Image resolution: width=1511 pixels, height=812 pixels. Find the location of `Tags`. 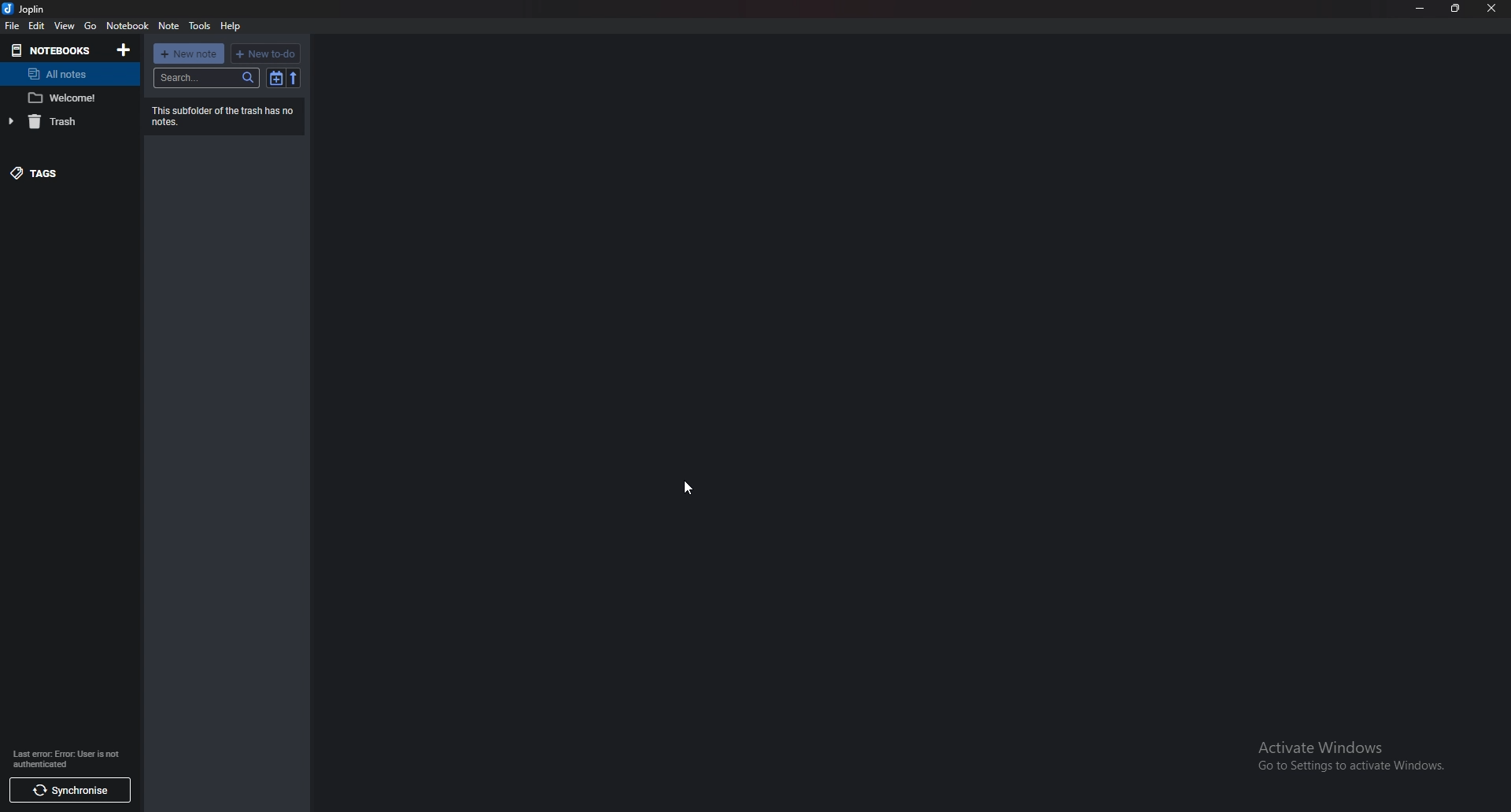

Tags is located at coordinates (60, 173).